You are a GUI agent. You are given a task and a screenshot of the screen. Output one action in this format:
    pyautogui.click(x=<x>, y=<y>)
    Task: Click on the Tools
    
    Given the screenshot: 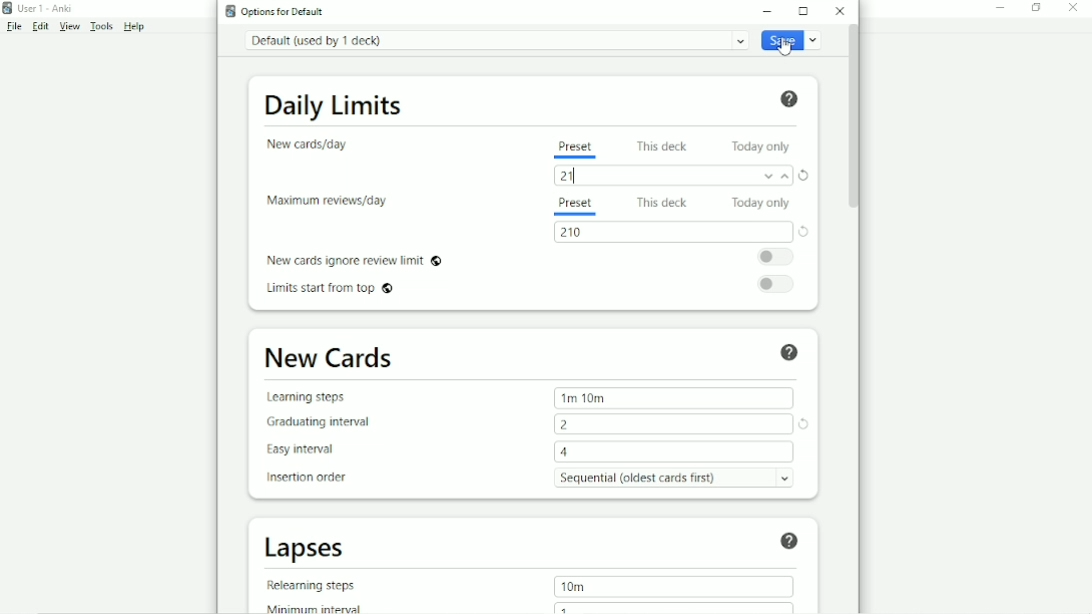 What is the action you would take?
    pyautogui.click(x=102, y=26)
    